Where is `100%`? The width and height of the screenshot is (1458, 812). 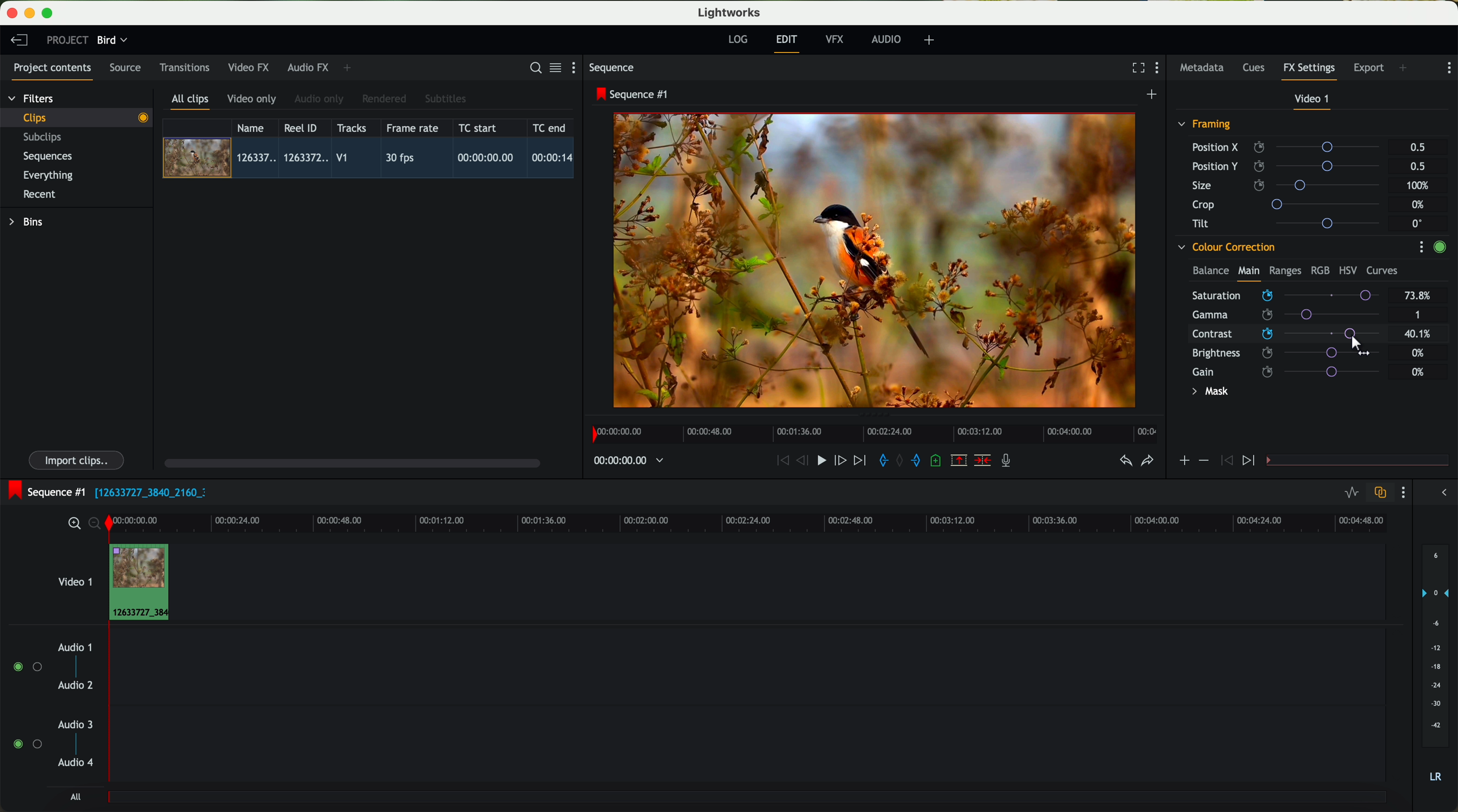 100% is located at coordinates (1421, 186).